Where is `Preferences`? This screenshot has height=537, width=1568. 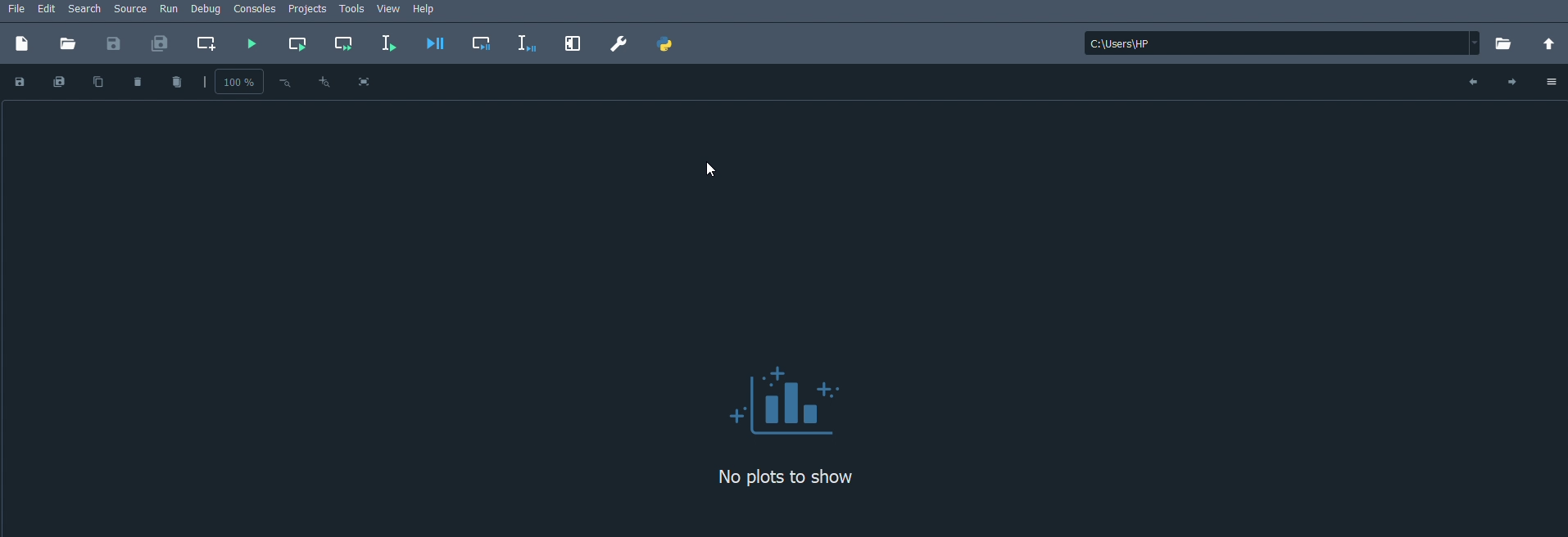
Preferences is located at coordinates (617, 43).